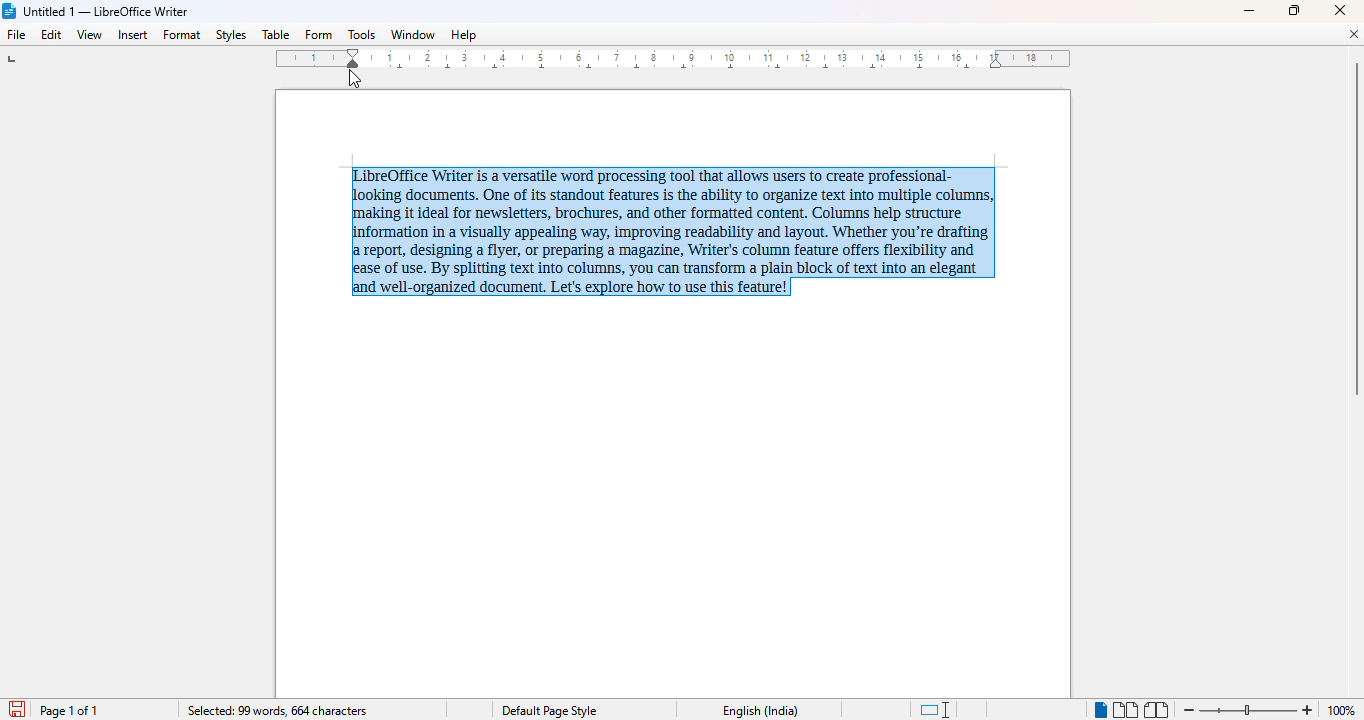 This screenshot has height=720, width=1364. What do you see at coordinates (133, 35) in the screenshot?
I see `insert` at bounding box center [133, 35].